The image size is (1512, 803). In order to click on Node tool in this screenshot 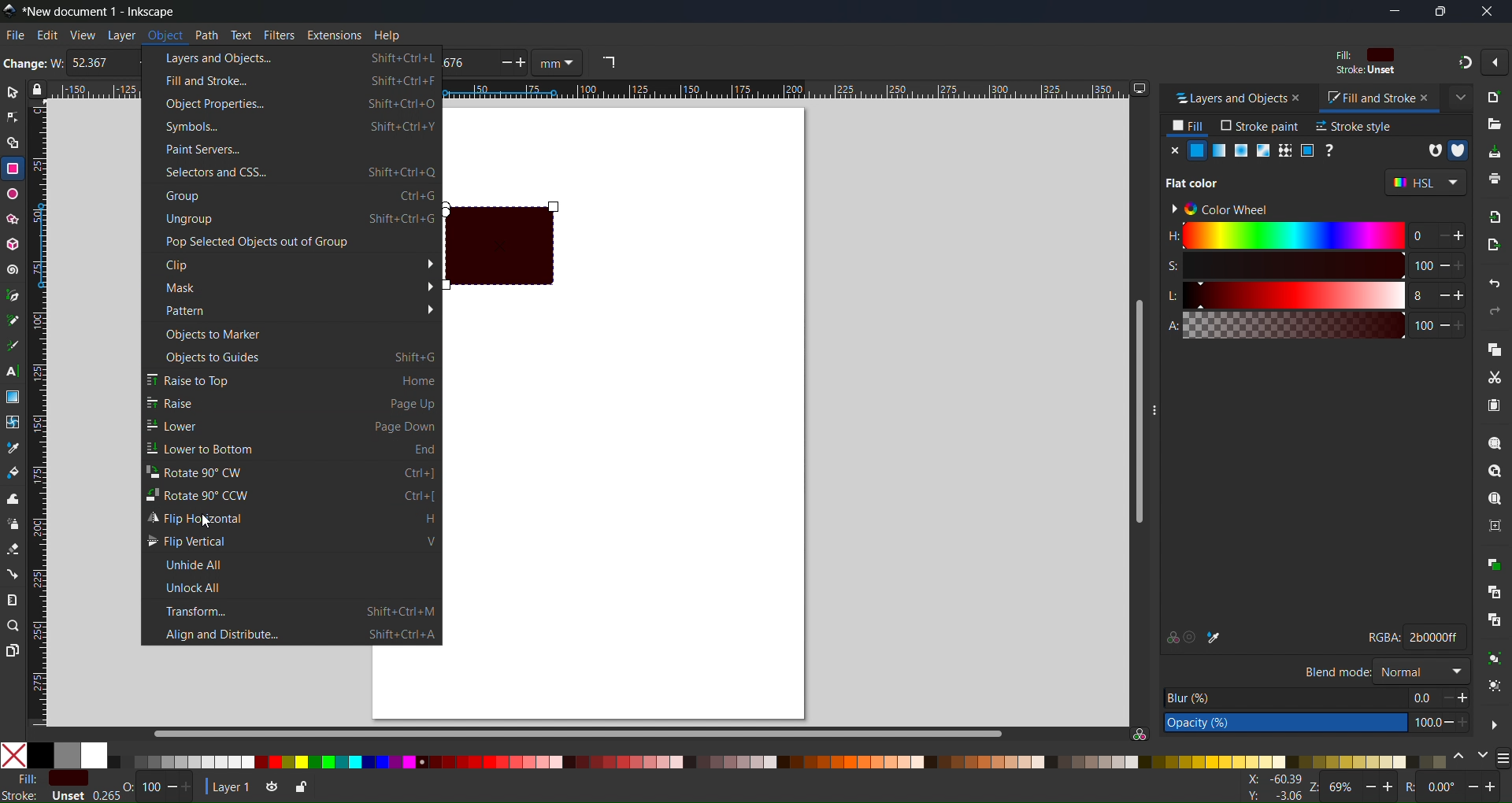, I will do `click(13, 117)`.